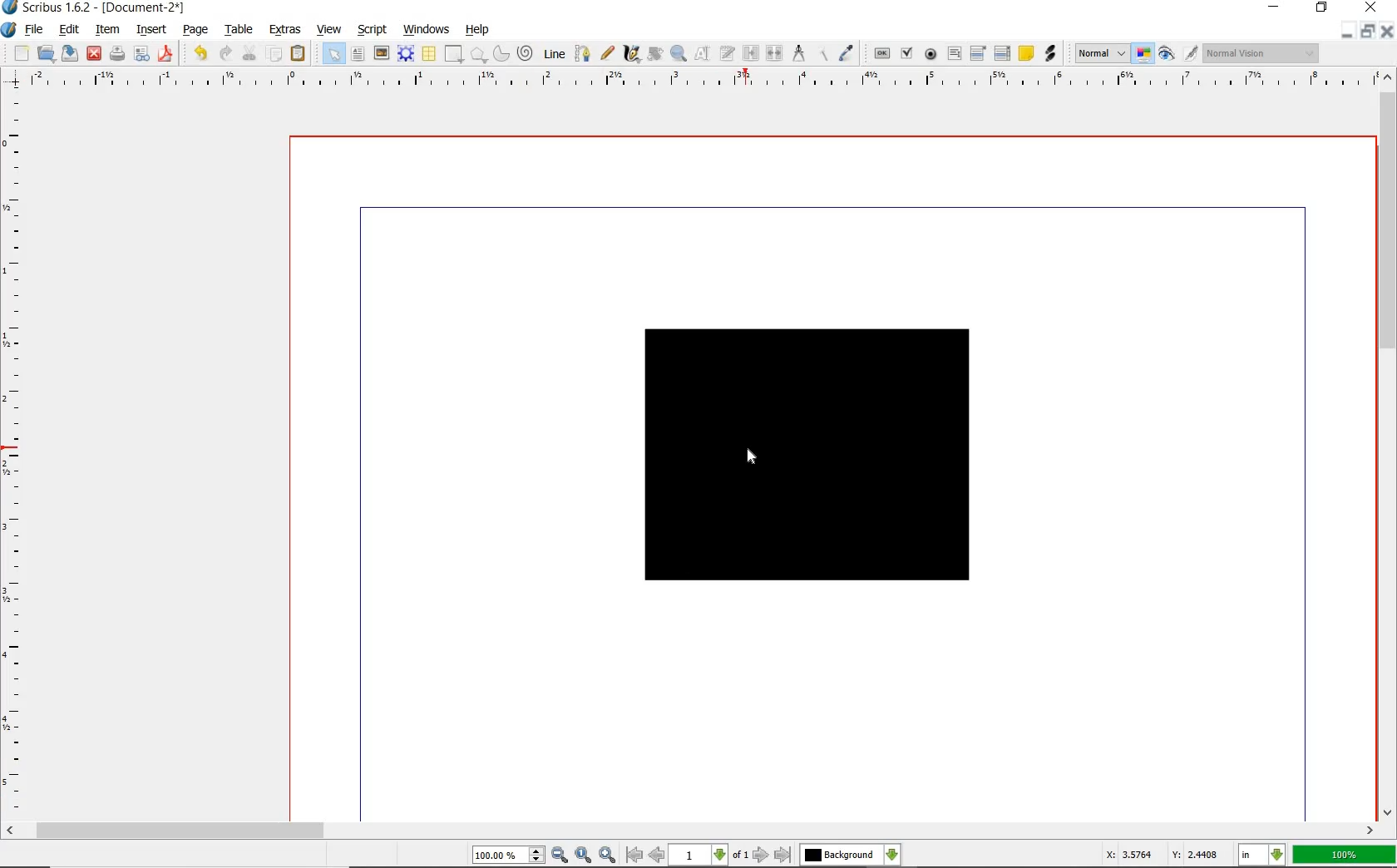 The height and width of the screenshot is (868, 1397). I want to click on RESTORE, so click(1364, 34).